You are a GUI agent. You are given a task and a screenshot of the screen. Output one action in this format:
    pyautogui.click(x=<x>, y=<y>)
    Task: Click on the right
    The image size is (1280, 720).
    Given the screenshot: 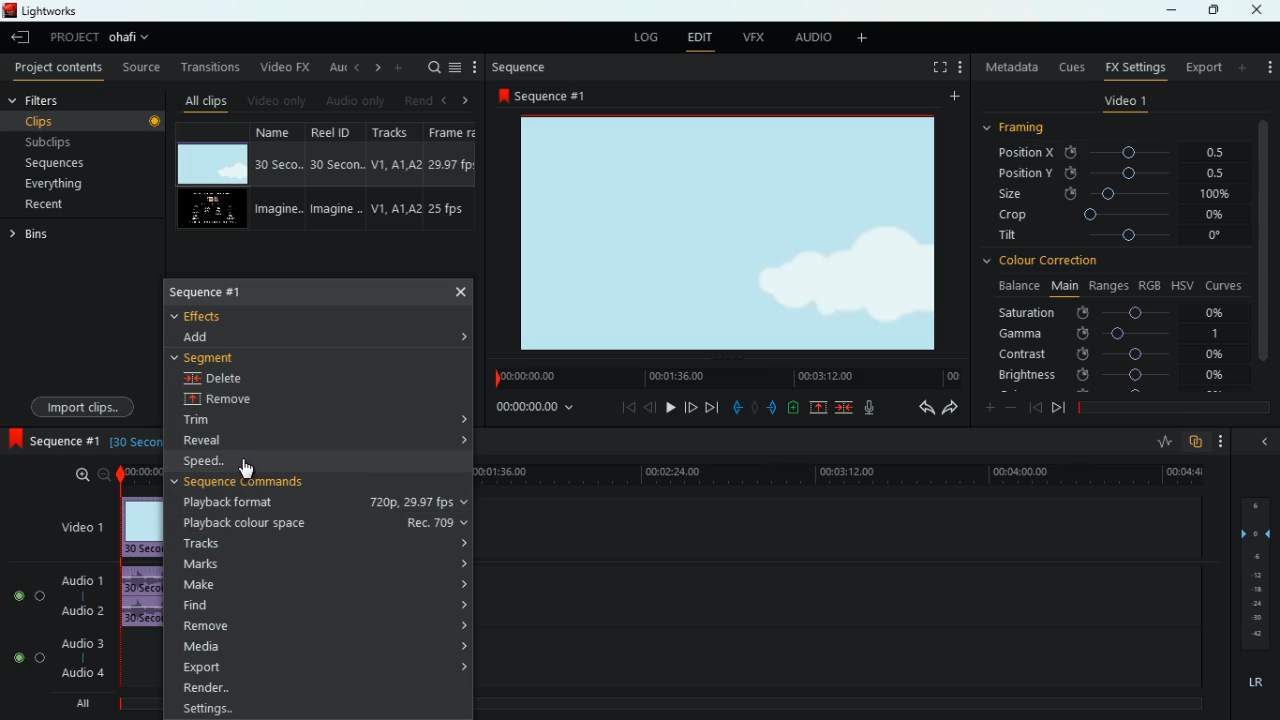 What is the action you would take?
    pyautogui.click(x=465, y=100)
    